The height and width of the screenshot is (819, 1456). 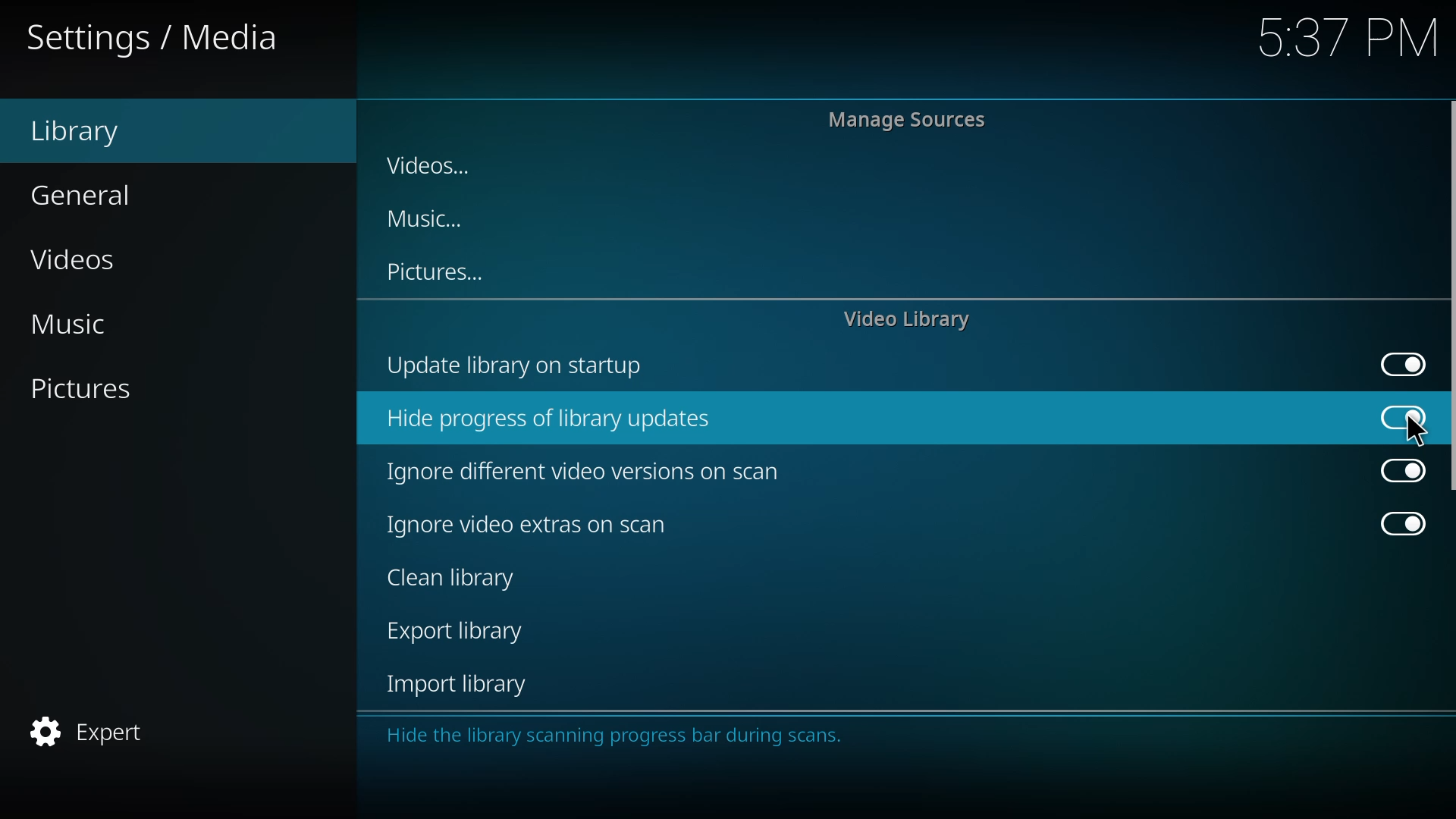 I want to click on Hide the library scanning progress bar during scans., so click(x=615, y=739).